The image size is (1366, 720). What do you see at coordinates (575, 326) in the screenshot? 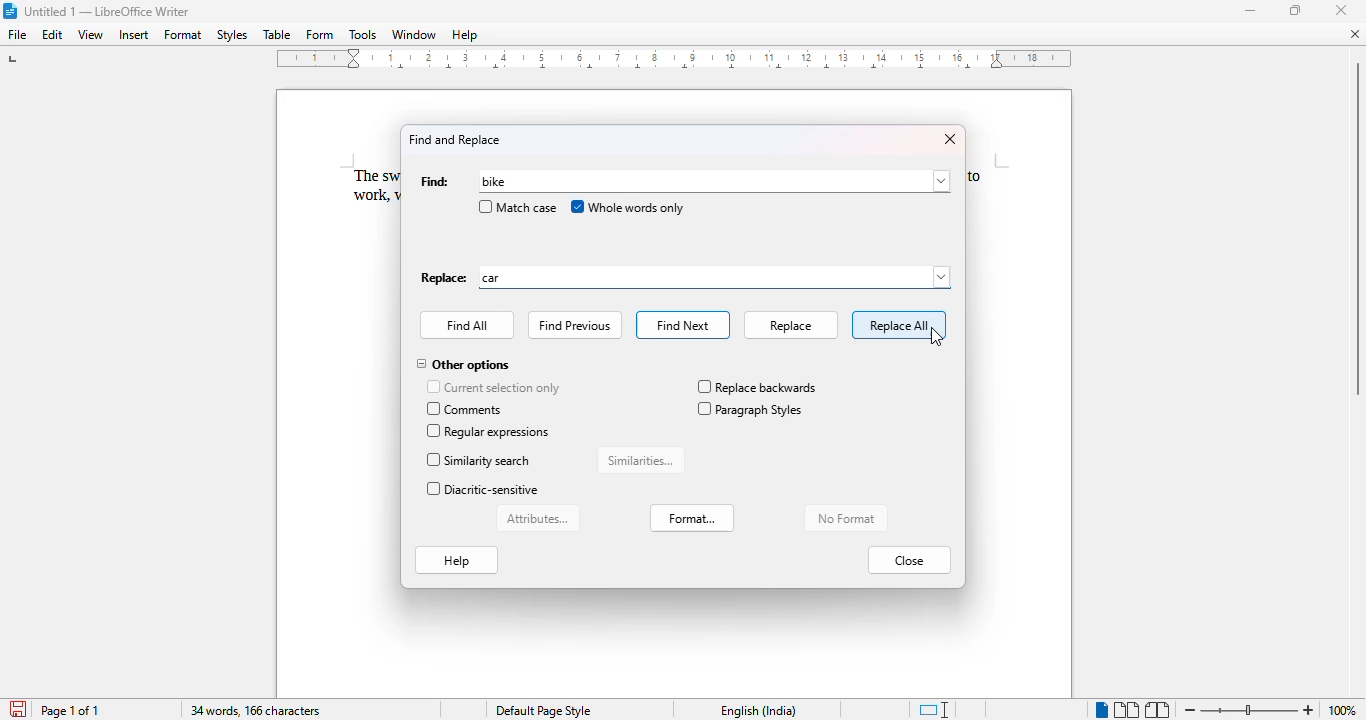
I see `find previous` at bounding box center [575, 326].